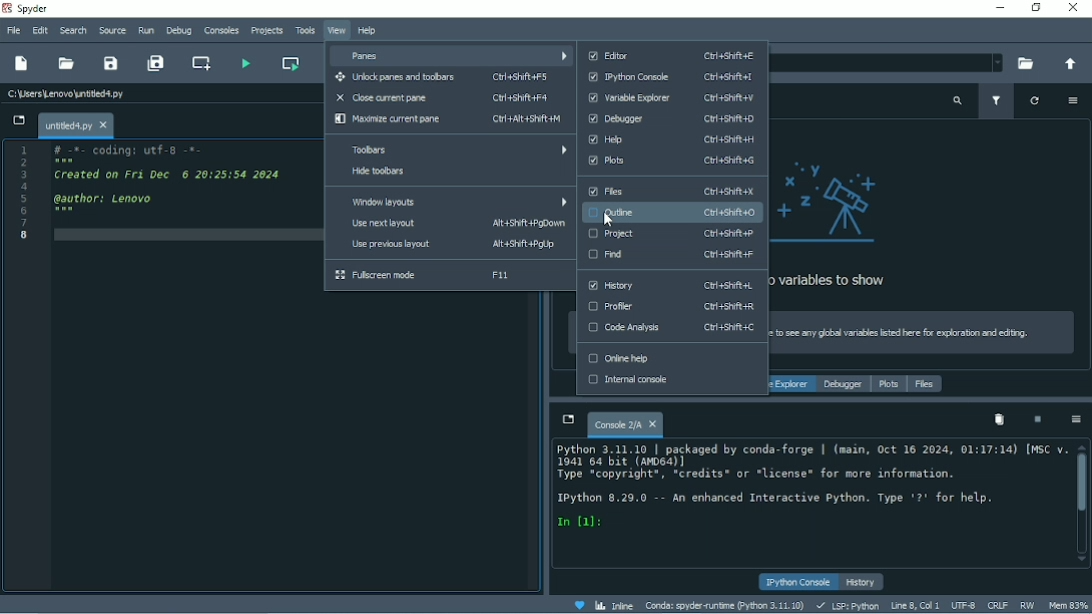 The height and width of the screenshot is (614, 1092). What do you see at coordinates (113, 30) in the screenshot?
I see `Source` at bounding box center [113, 30].